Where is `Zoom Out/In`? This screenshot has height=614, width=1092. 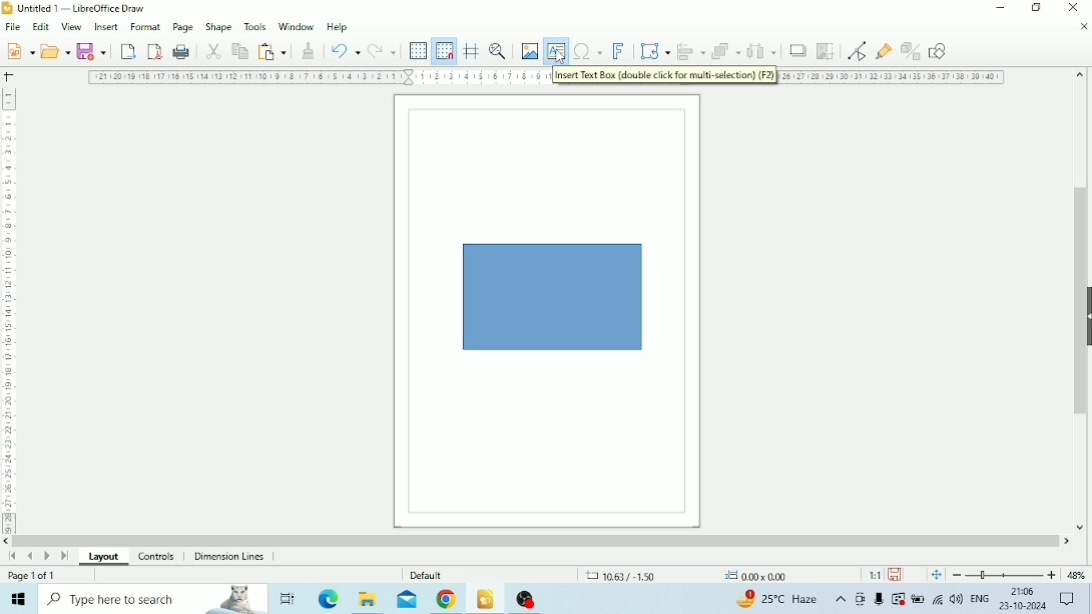
Zoom Out/In is located at coordinates (1002, 575).